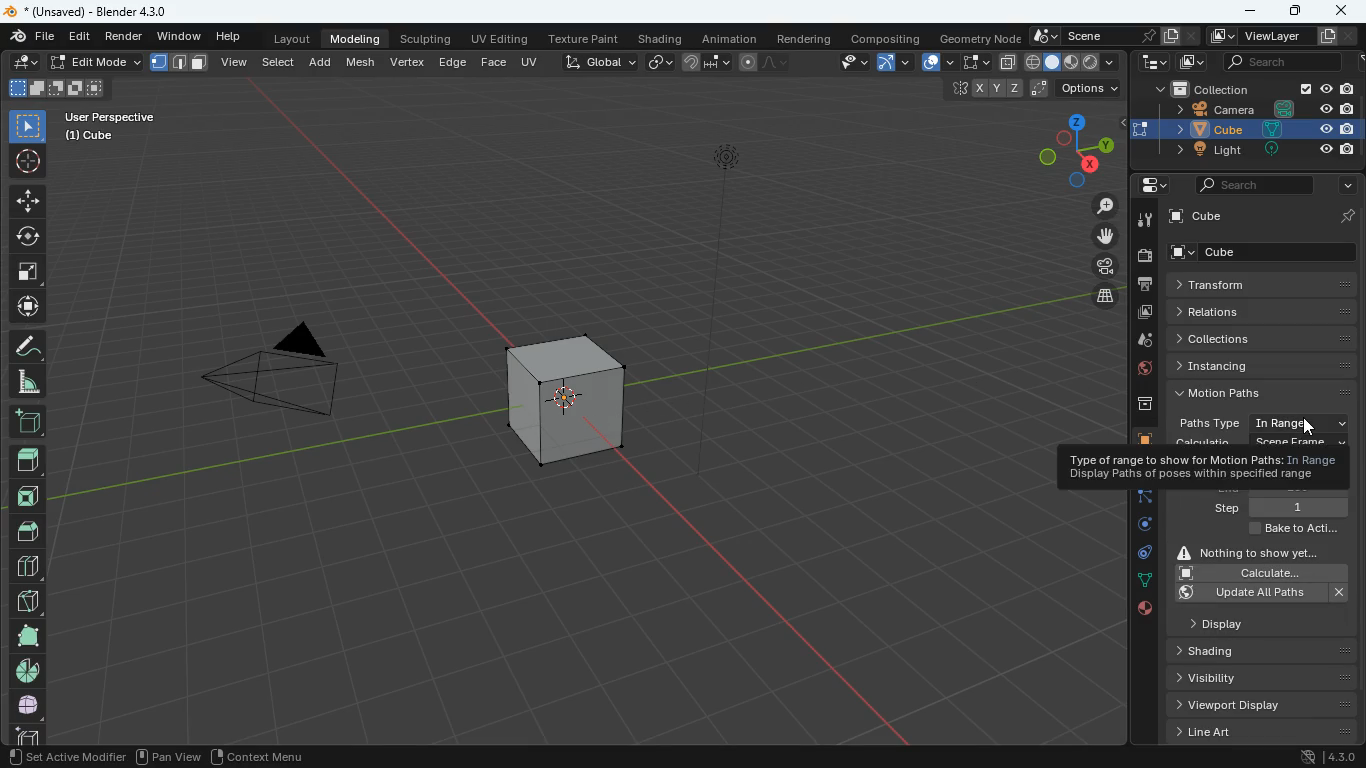 Image resolution: width=1366 pixels, height=768 pixels. Describe the element at coordinates (1202, 467) in the screenshot. I see `description` at that location.